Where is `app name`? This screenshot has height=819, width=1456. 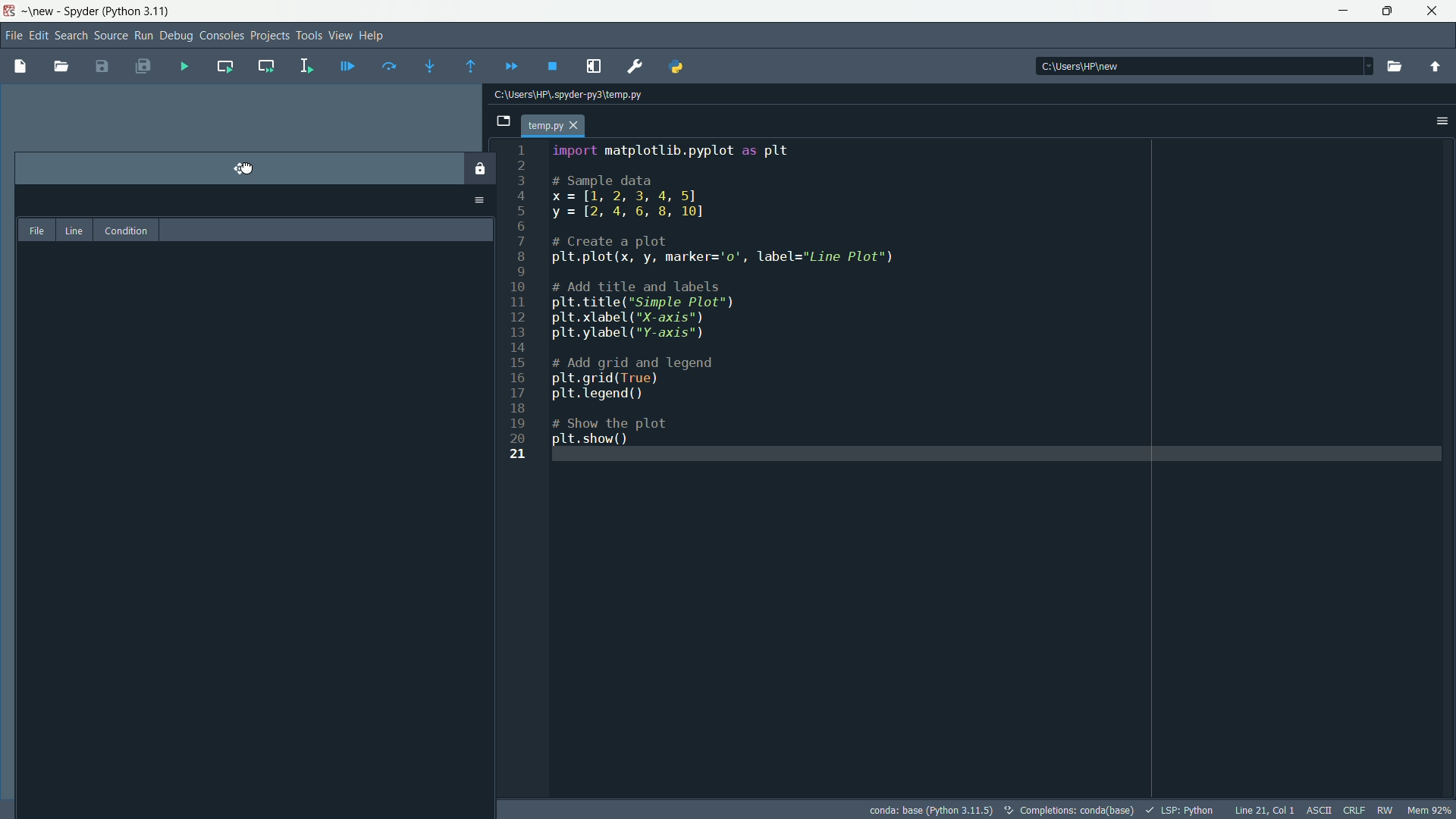 app name is located at coordinates (83, 12).